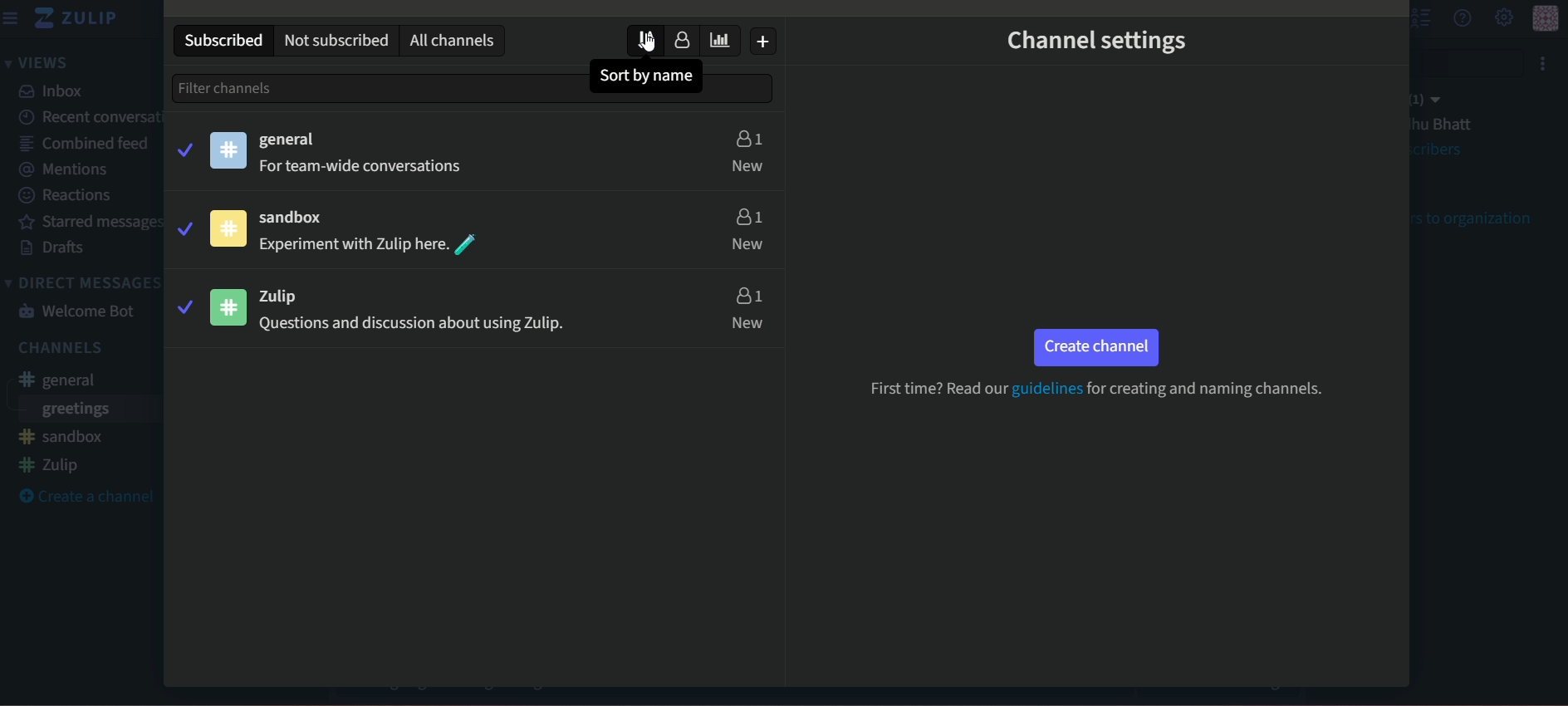 The width and height of the screenshot is (1568, 706). Describe the element at coordinates (651, 76) in the screenshot. I see `sort by name` at that location.